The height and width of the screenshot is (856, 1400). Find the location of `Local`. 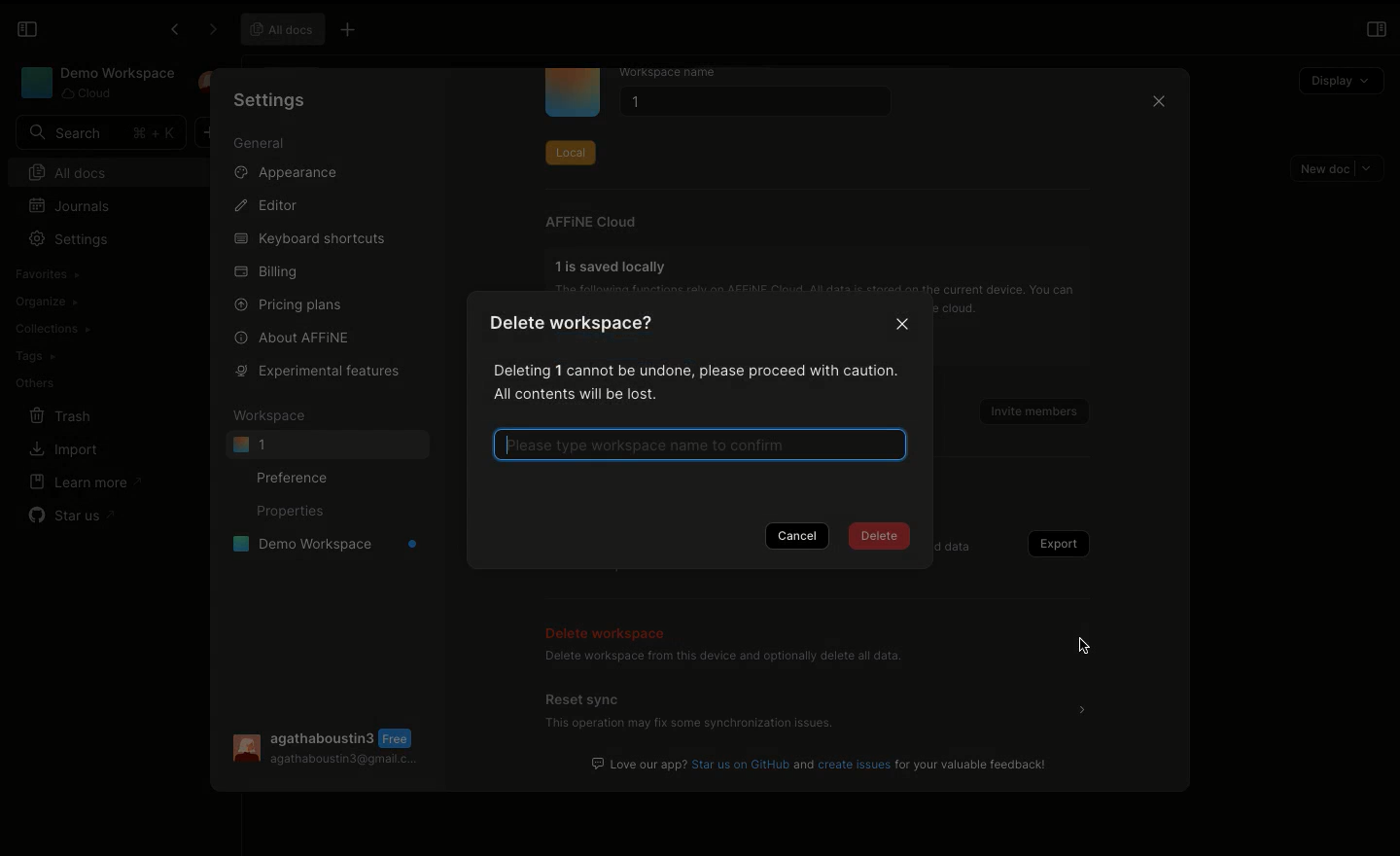

Local is located at coordinates (570, 149).